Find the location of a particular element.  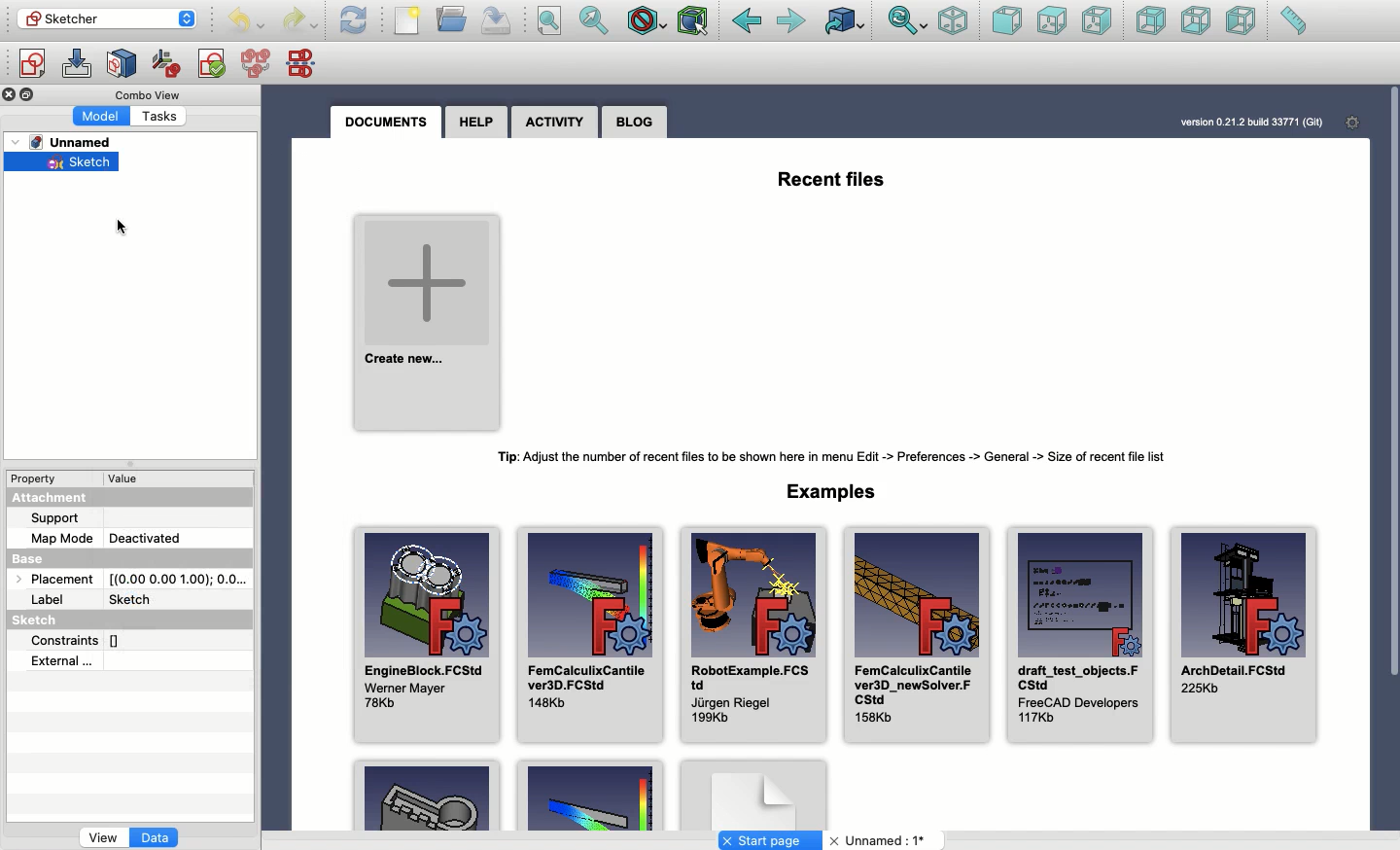

Go to linked object is located at coordinates (846, 20).